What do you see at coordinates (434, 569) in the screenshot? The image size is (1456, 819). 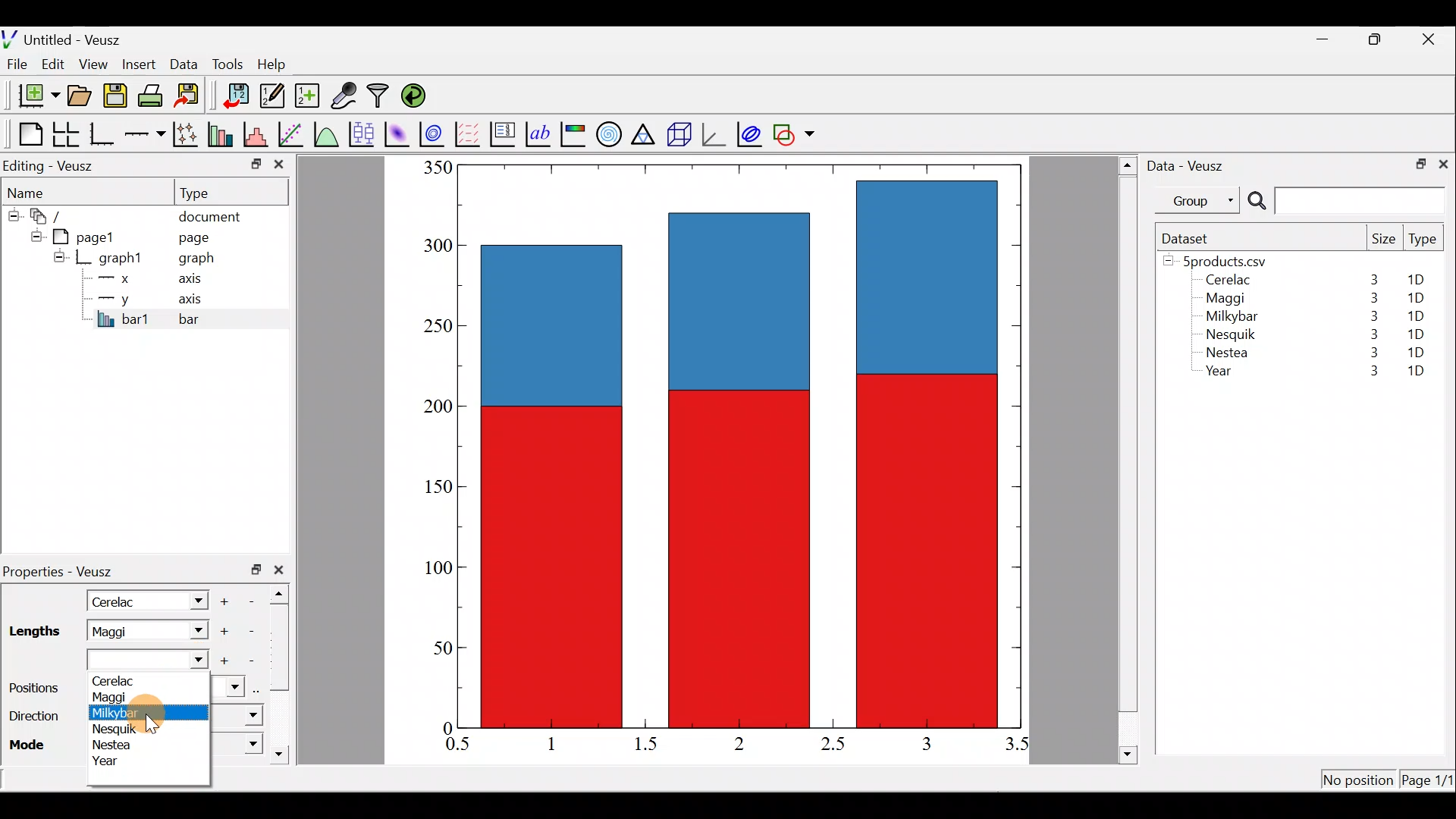 I see `100` at bounding box center [434, 569].